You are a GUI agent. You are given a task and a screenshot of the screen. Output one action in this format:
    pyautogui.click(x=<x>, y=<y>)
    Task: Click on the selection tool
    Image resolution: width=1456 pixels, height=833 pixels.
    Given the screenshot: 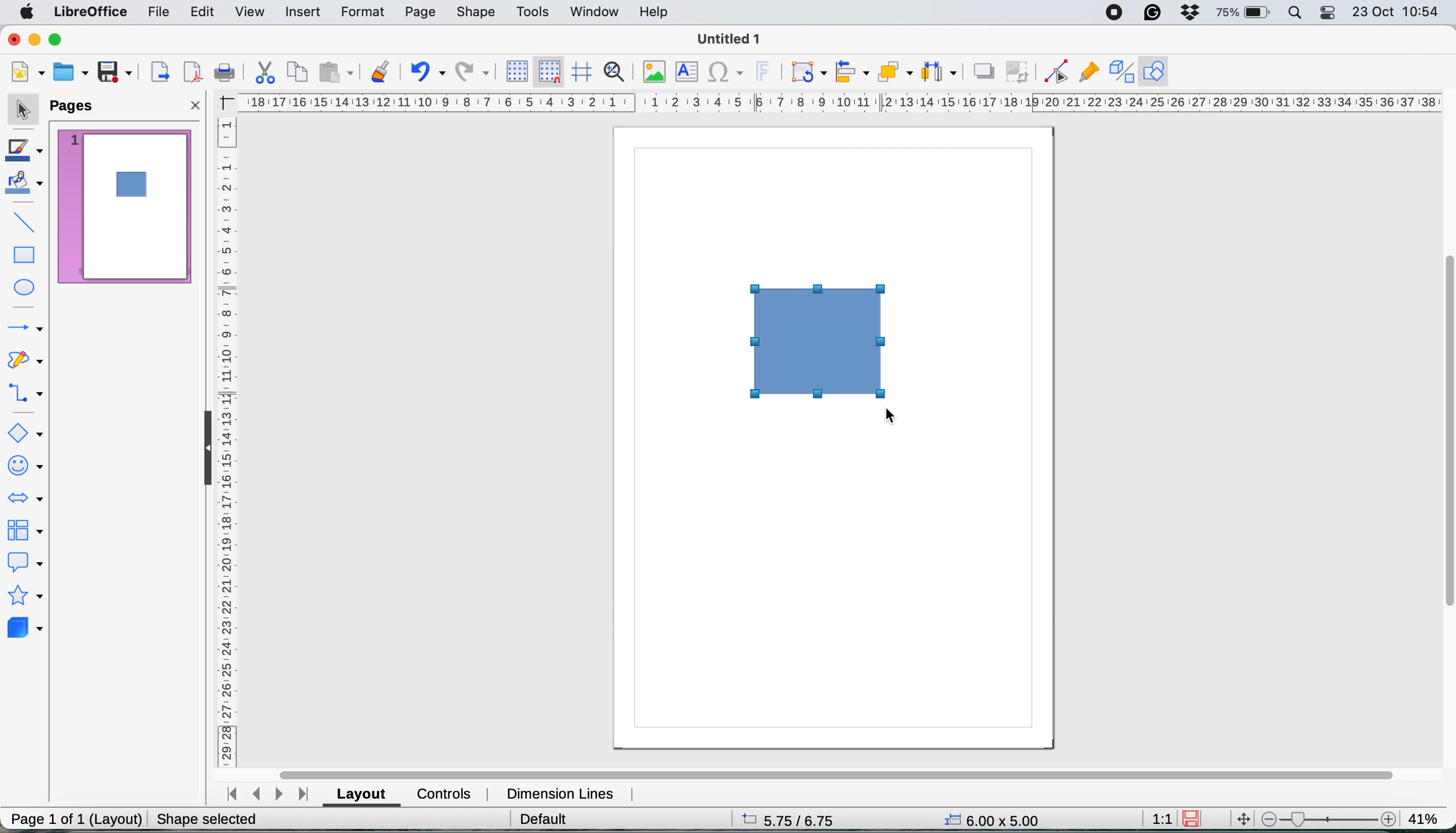 What is the action you would take?
    pyautogui.click(x=23, y=112)
    